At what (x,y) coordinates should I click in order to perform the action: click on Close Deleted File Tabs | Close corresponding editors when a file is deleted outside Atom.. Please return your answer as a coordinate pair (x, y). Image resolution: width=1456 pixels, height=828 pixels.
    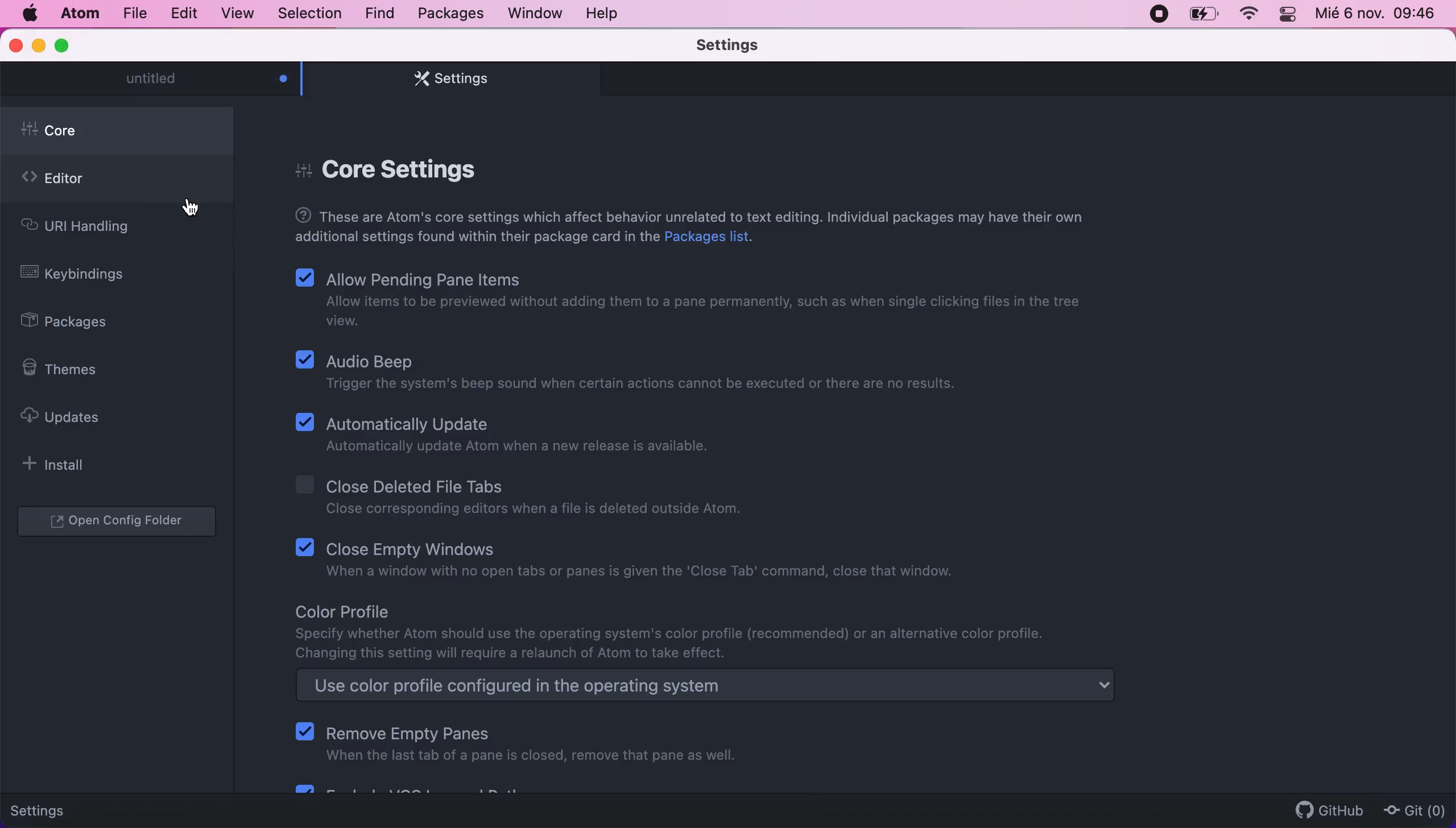
    Looking at the image, I should click on (523, 497).